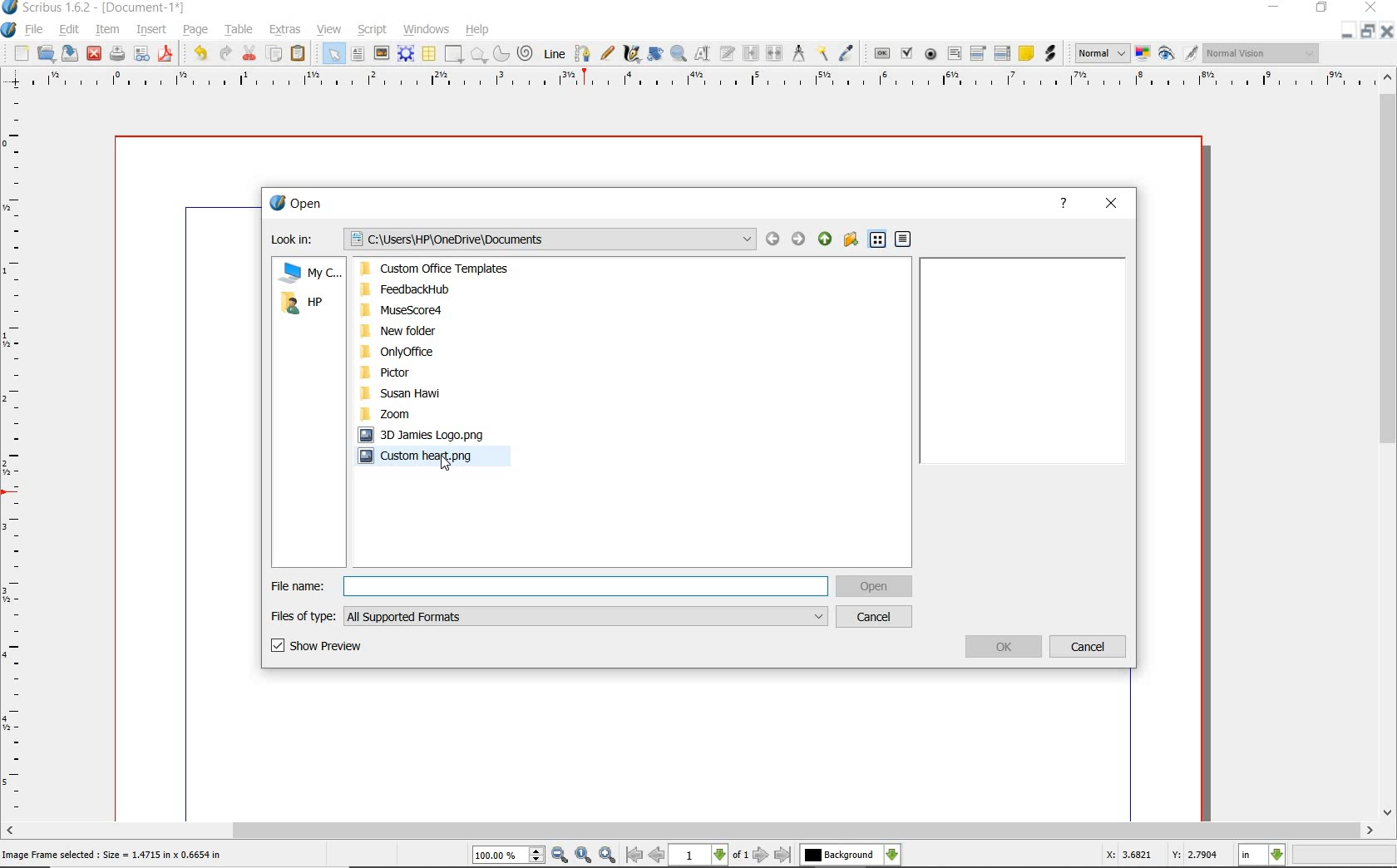 This screenshot has width=1397, height=868. What do you see at coordinates (654, 55) in the screenshot?
I see `rotate item` at bounding box center [654, 55].